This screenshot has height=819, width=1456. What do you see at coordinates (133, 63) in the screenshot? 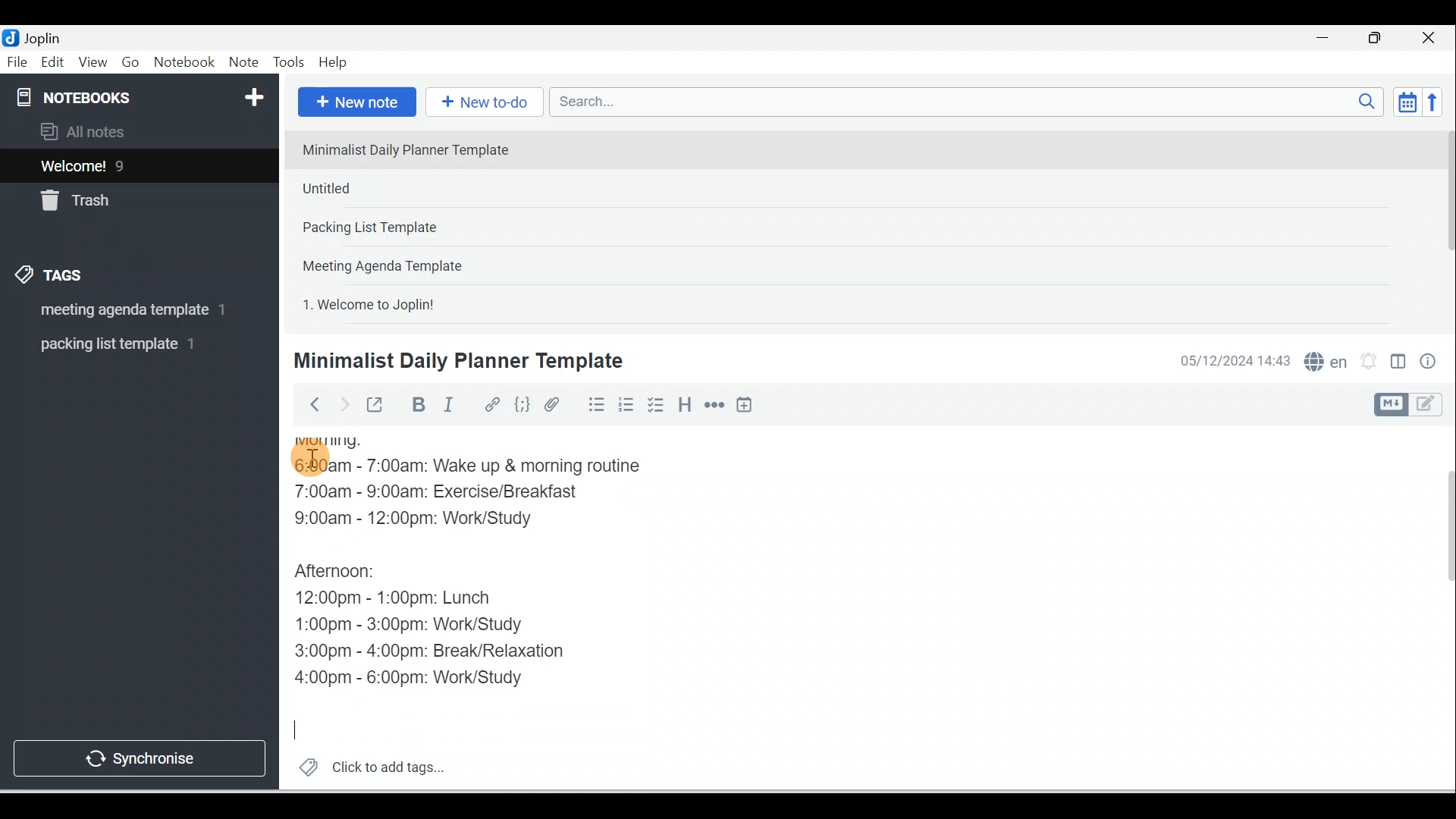
I see `Go` at bounding box center [133, 63].